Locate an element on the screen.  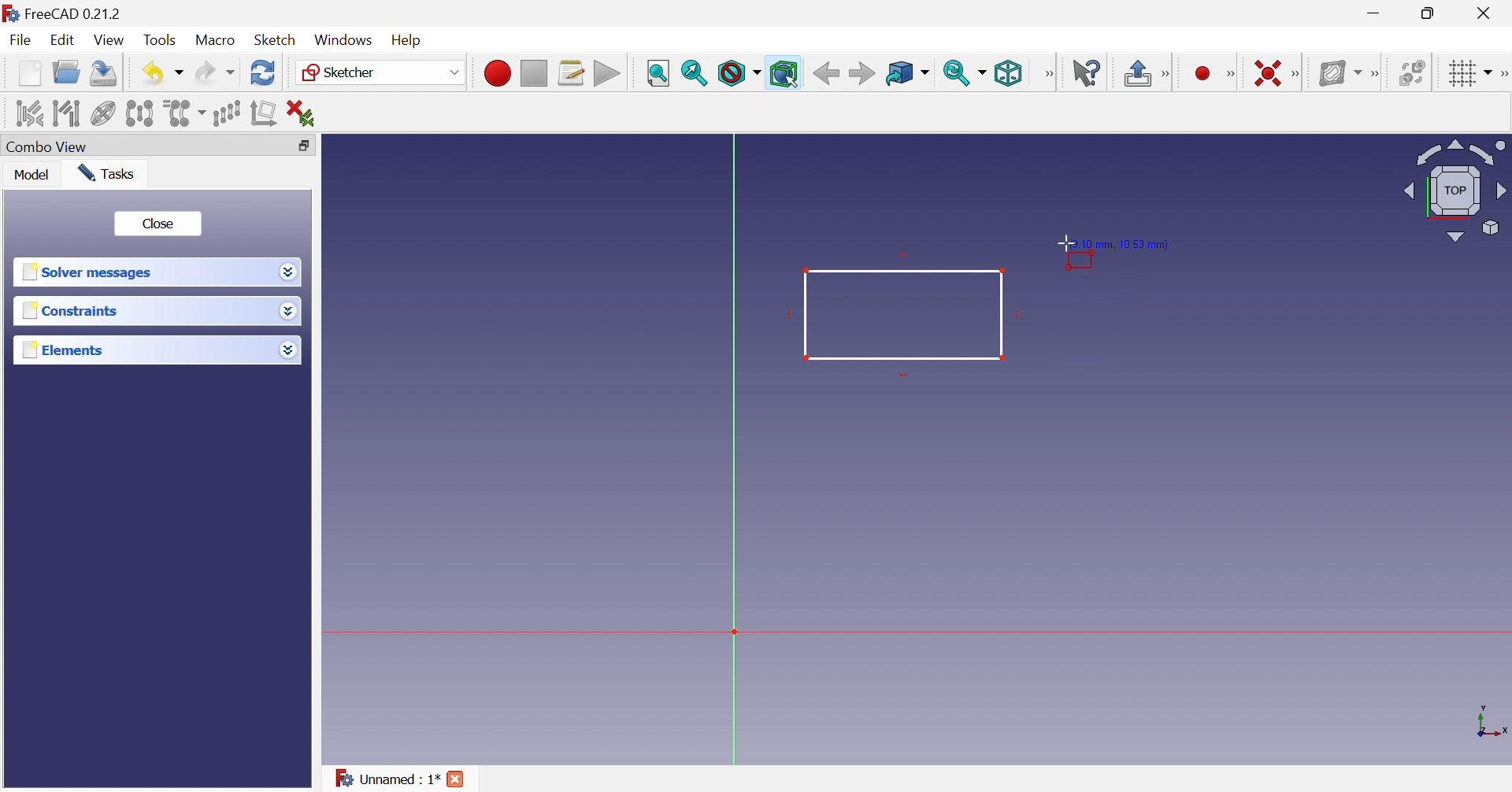
Fit selection is located at coordinates (695, 72).